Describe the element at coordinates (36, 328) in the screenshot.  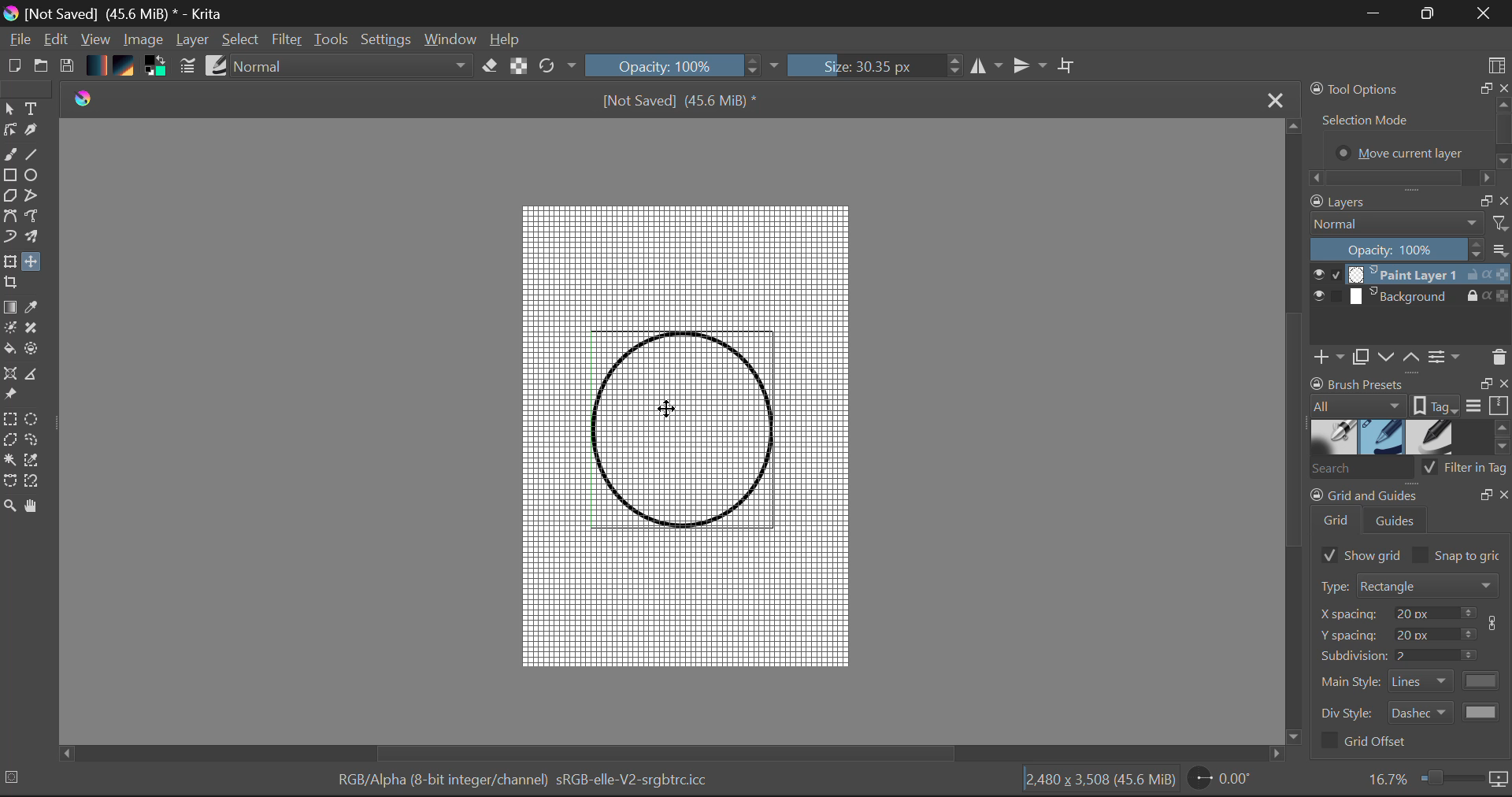
I see `Smart Patch Tool` at that location.